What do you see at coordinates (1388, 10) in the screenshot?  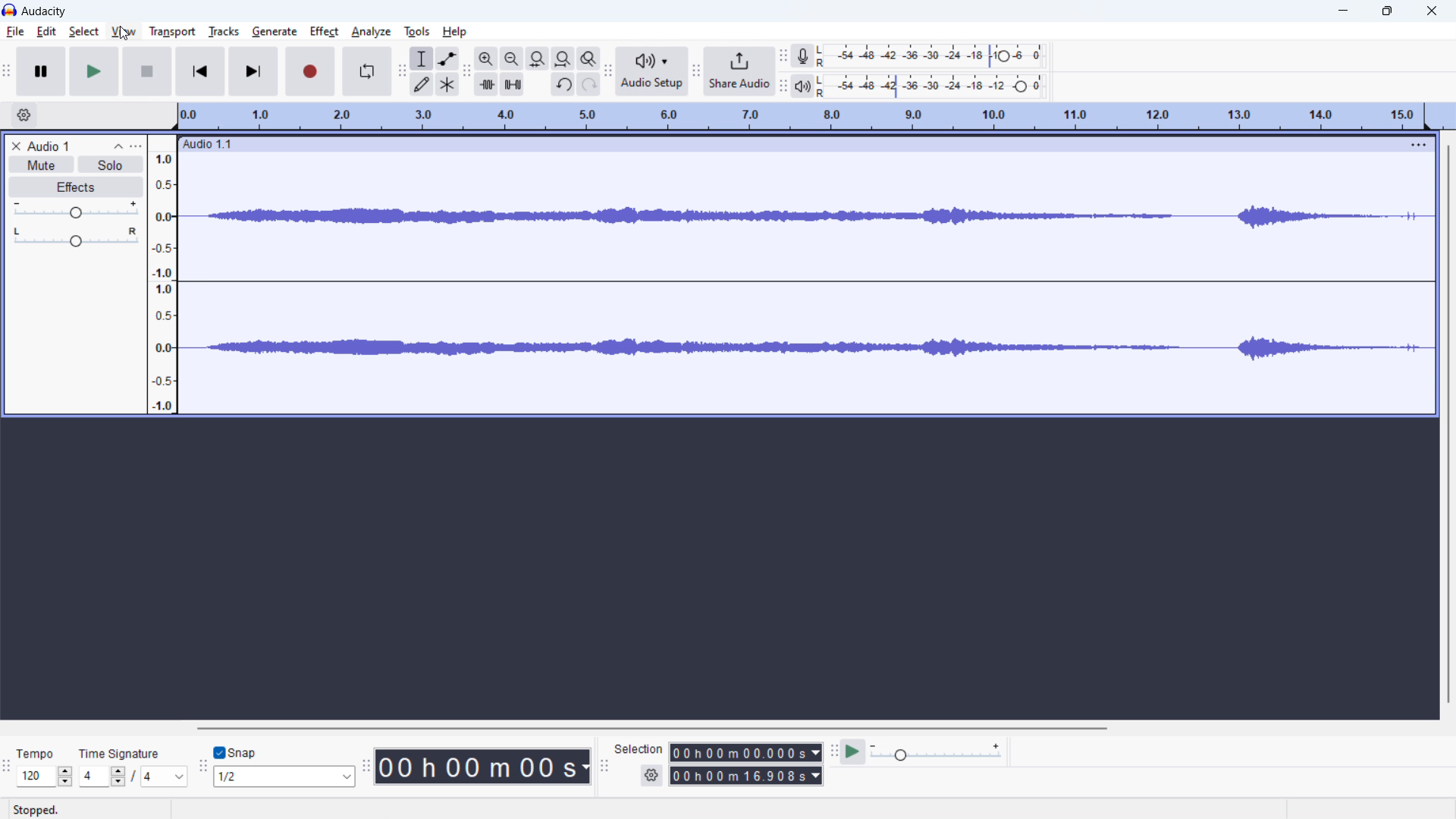 I see `maximize` at bounding box center [1388, 10].